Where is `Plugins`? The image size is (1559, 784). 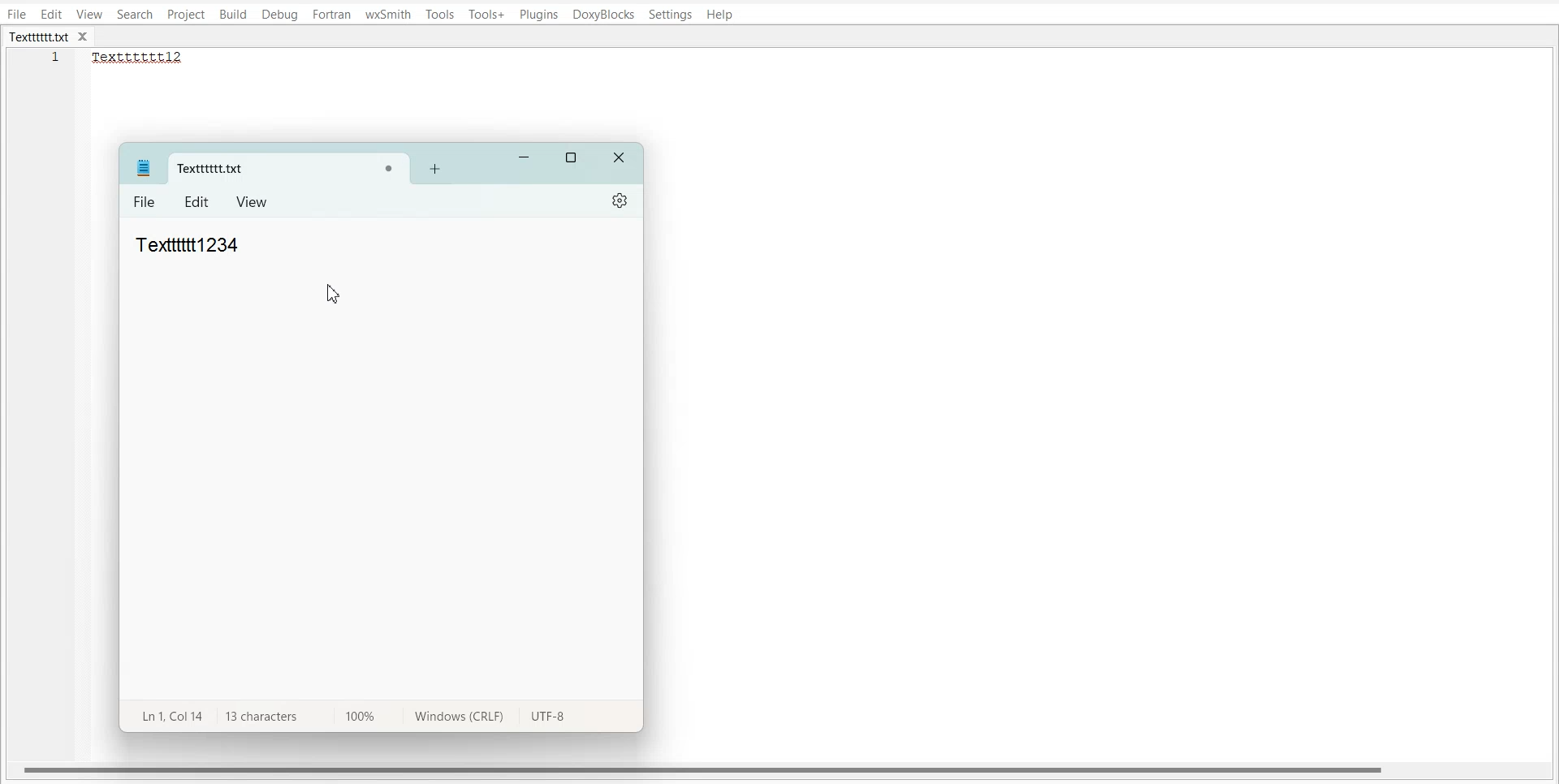 Plugins is located at coordinates (540, 15).